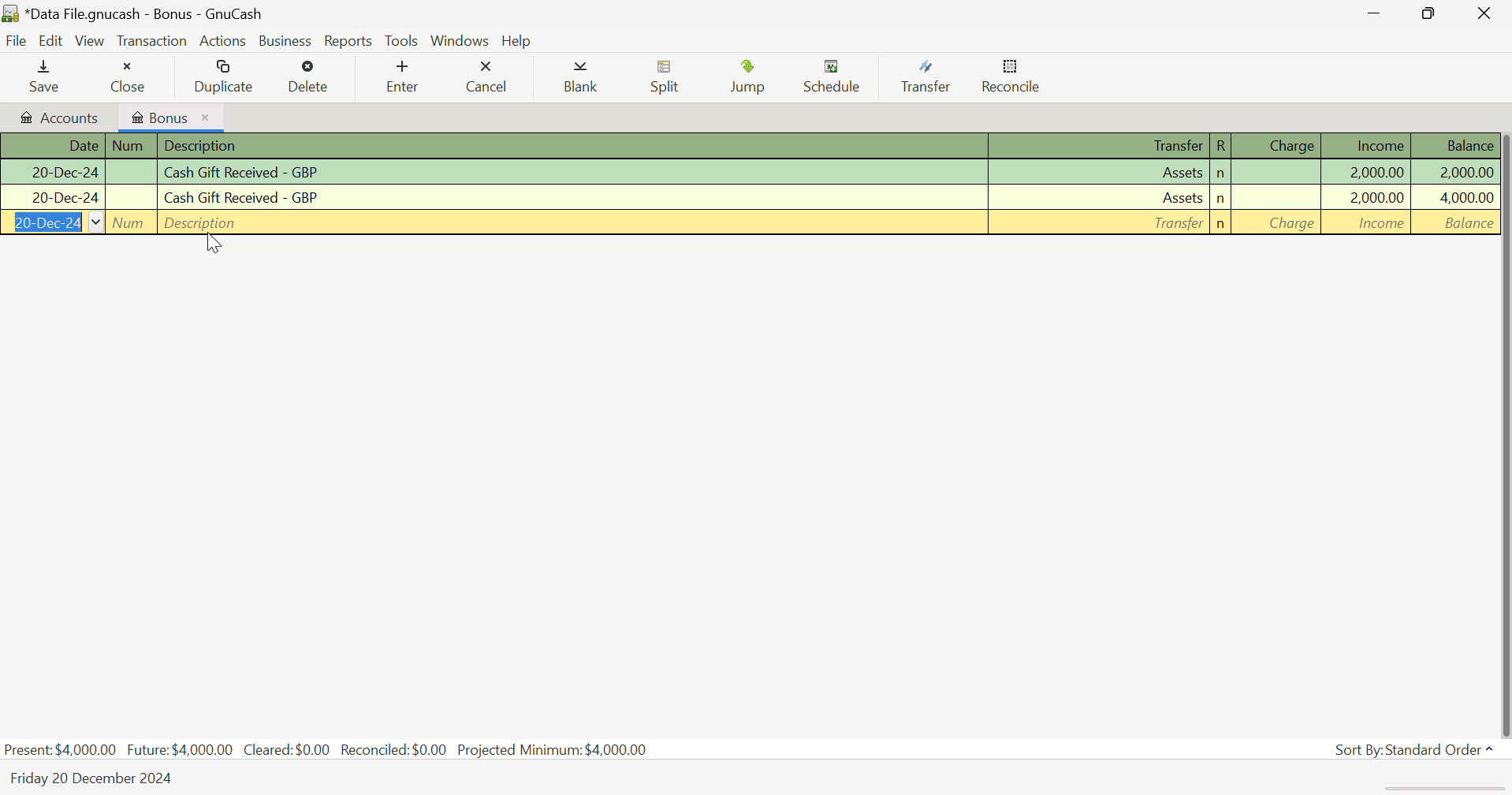 This screenshot has width=1512, height=795. Describe the element at coordinates (403, 40) in the screenshot. I see `Tools` at that location.